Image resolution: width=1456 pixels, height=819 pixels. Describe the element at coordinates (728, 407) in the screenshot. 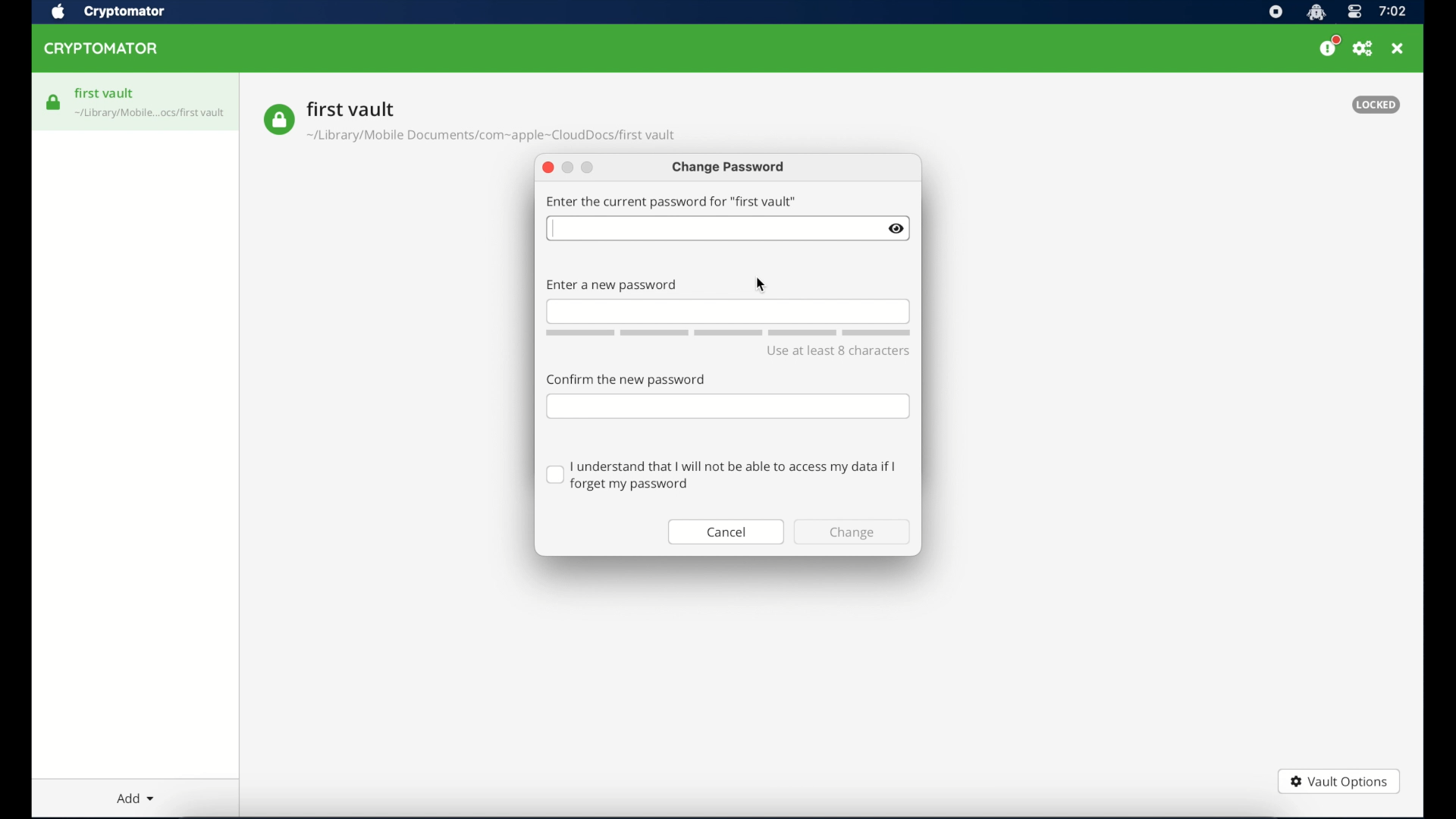

I see `confirm password field` at that location.